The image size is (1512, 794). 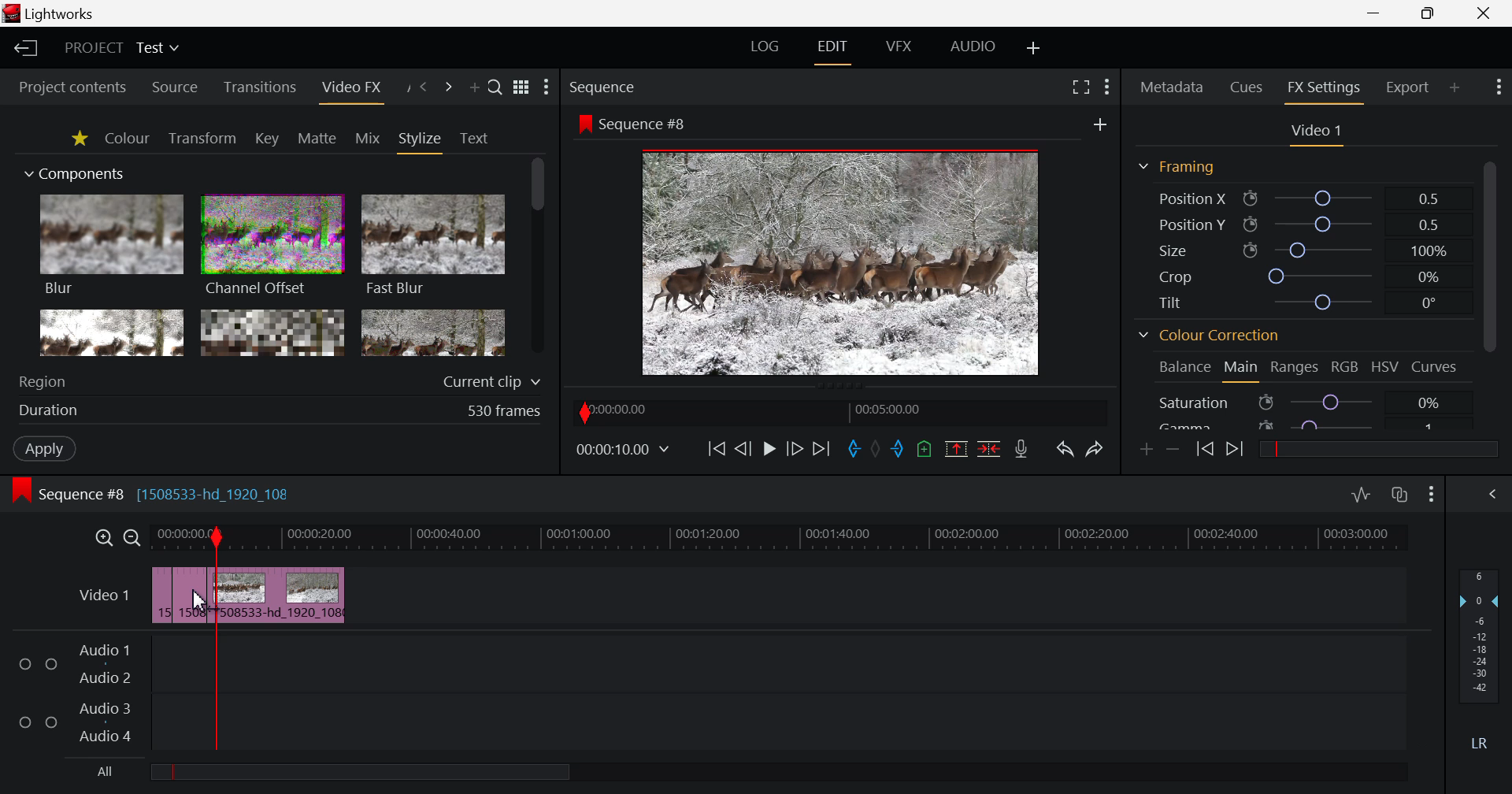 I want to click on Go Forward, so click(x=795, y=449).